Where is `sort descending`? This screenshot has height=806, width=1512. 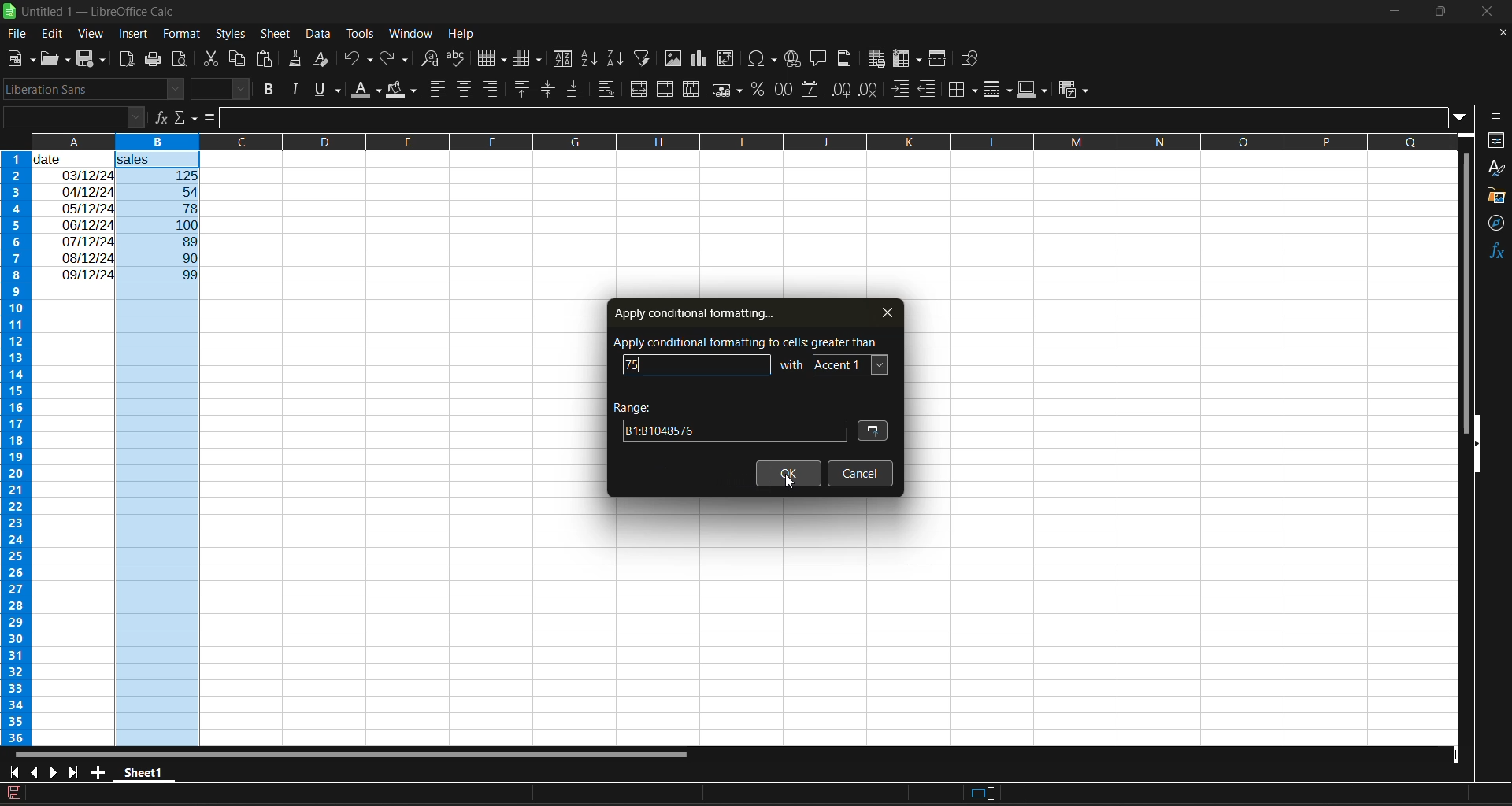
sort descending is located at coordinates (617, 57).